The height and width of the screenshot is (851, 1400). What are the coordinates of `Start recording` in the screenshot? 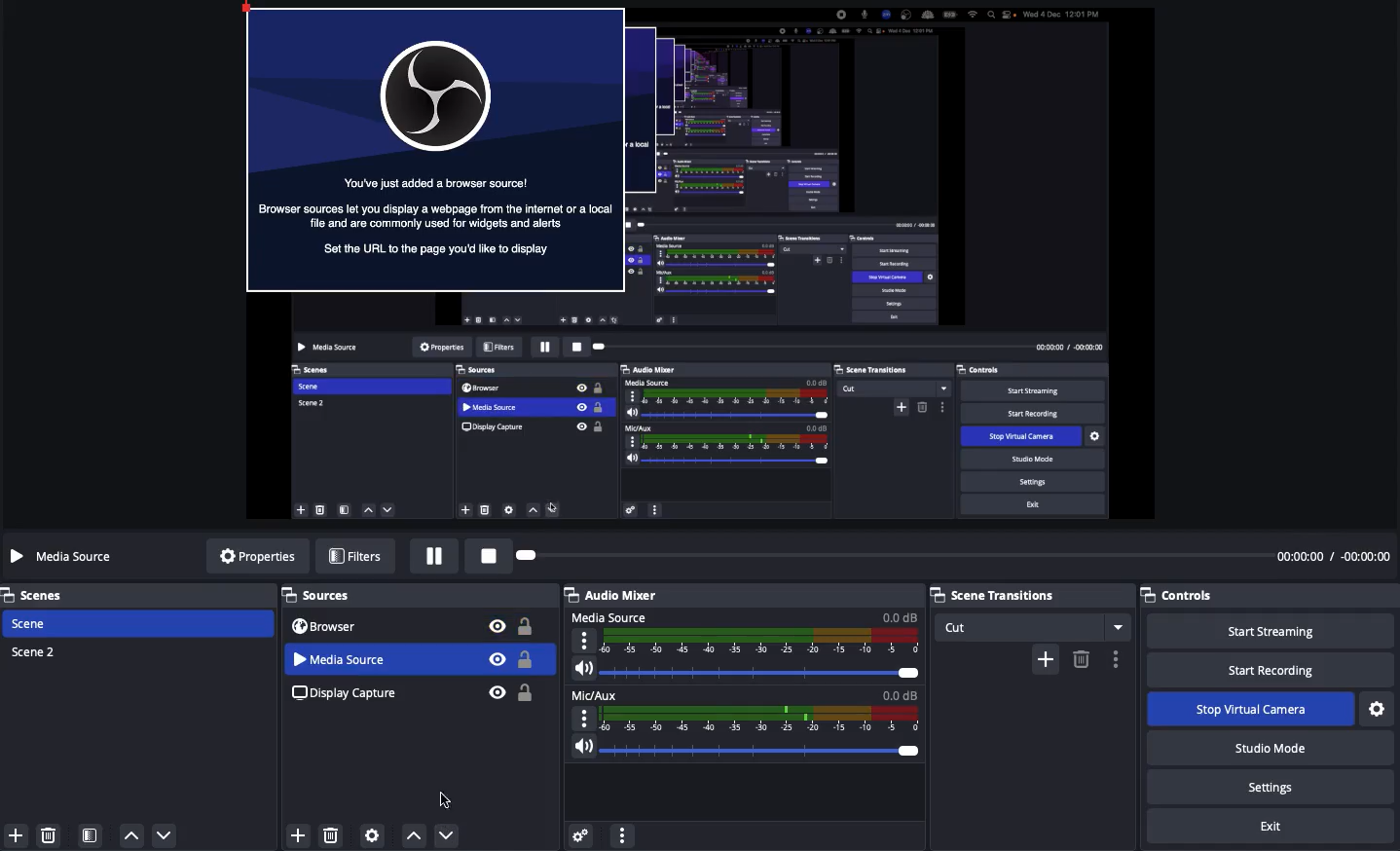 It's located at (1271, 669).